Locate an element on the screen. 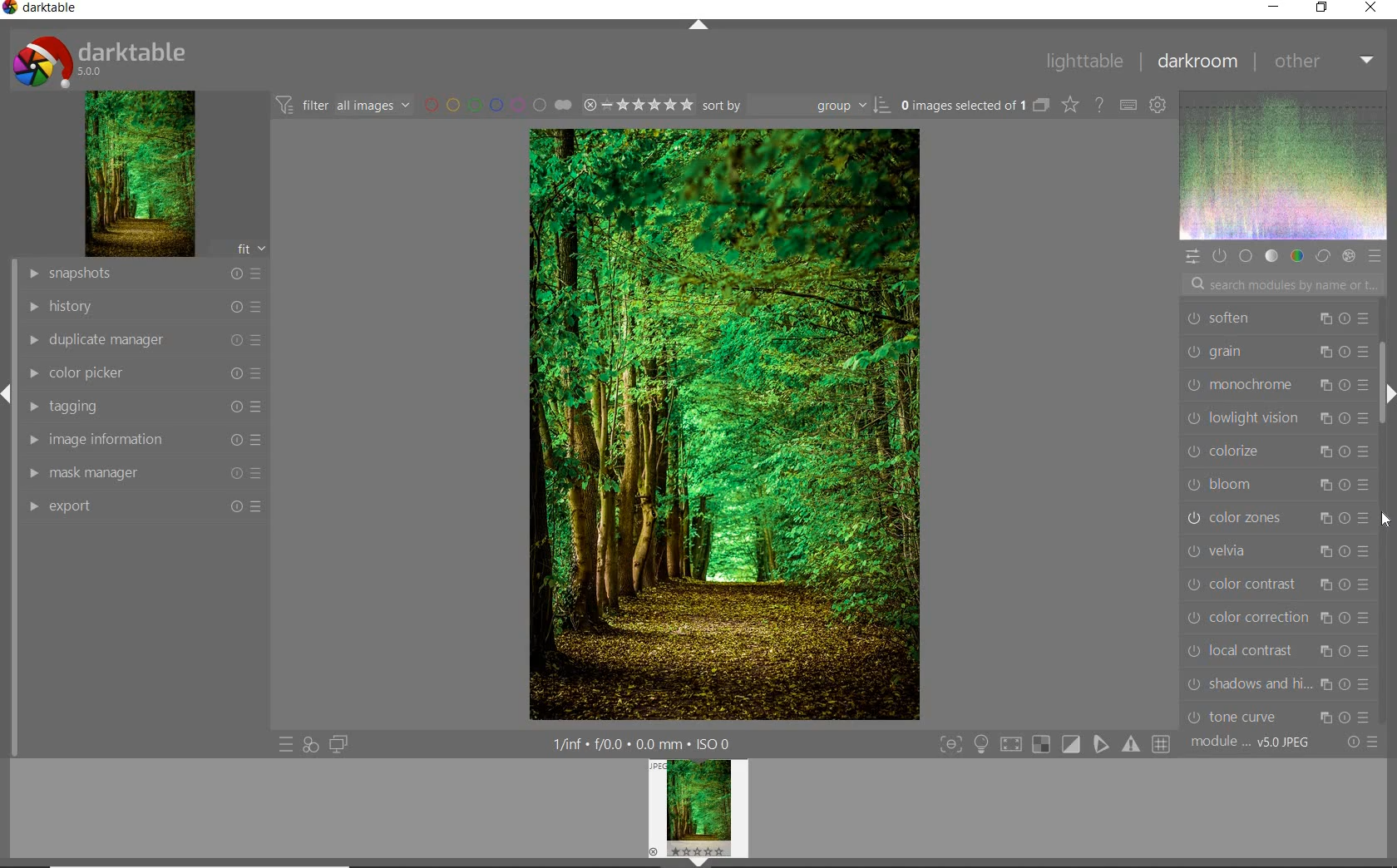 The image size is (1397, 868). SORT is located at coordinates (795, 105).